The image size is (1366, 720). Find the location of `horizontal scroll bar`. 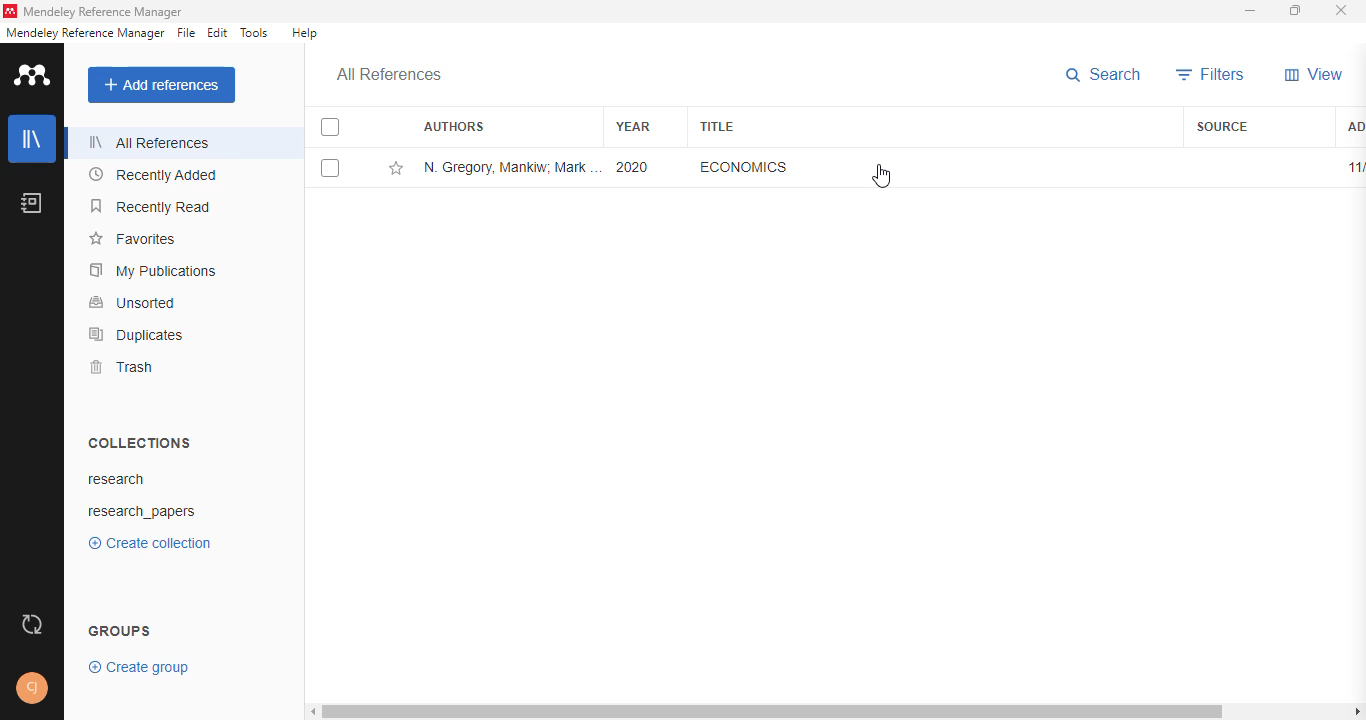

horizontal scroll bar is located at coordinates (834, 712).